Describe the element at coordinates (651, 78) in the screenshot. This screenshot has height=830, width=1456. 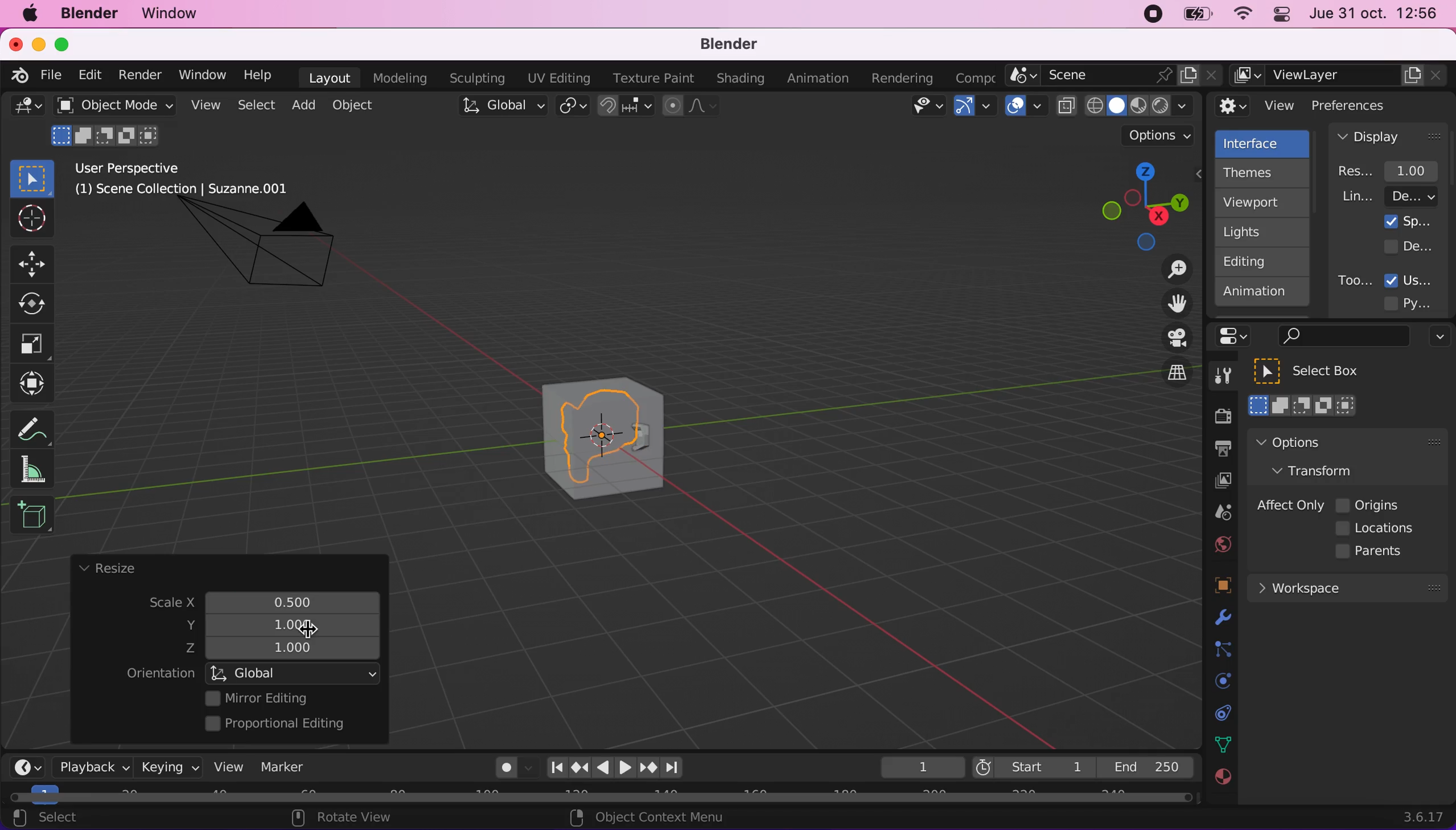
I see `texture paint` at that location.